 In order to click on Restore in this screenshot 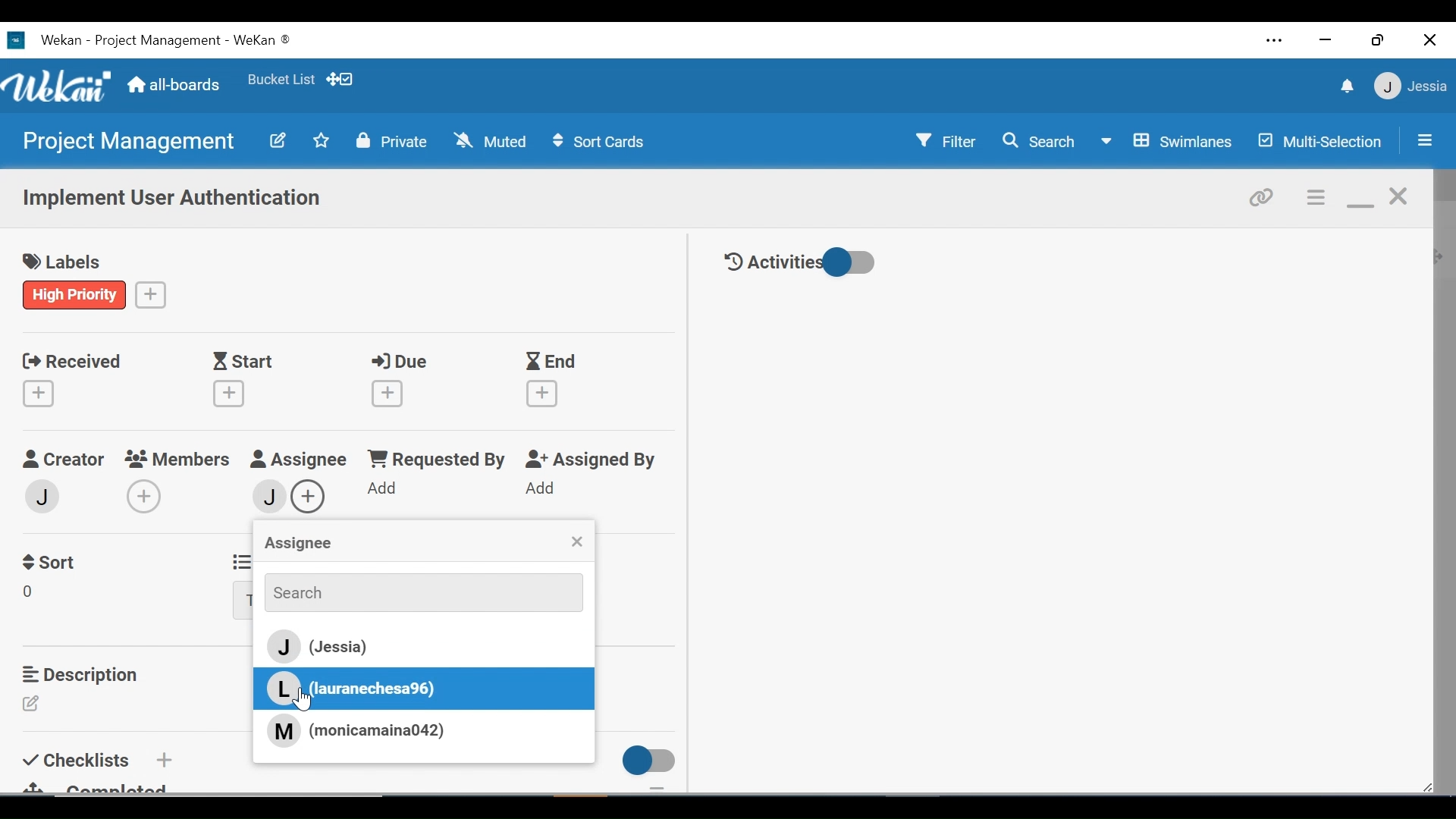, I will do `click(1379, 39)`.